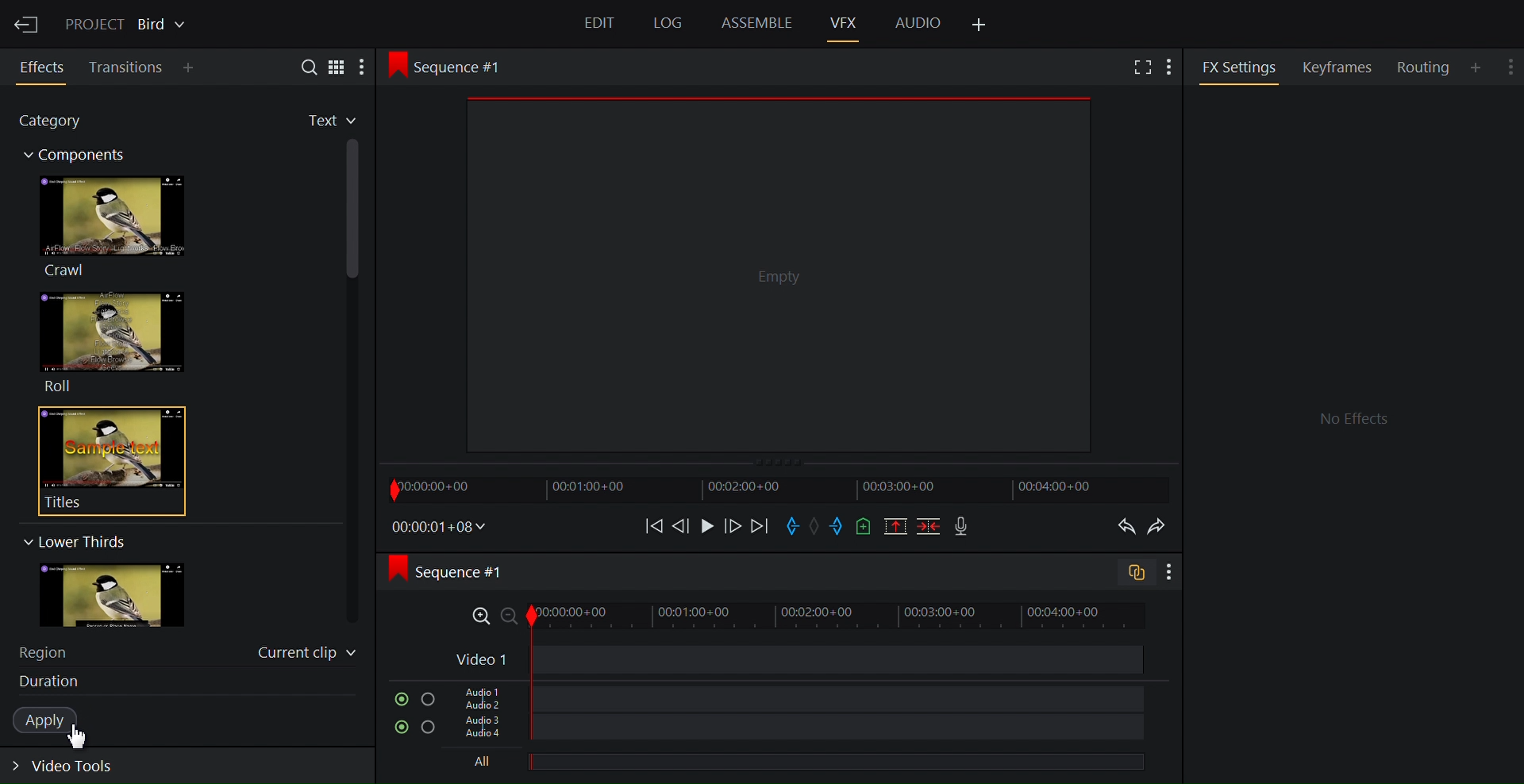 The image size is (1524, 784). Describe the element at coordinates (706, 525) in the screenshot. I see `Play` at that location.